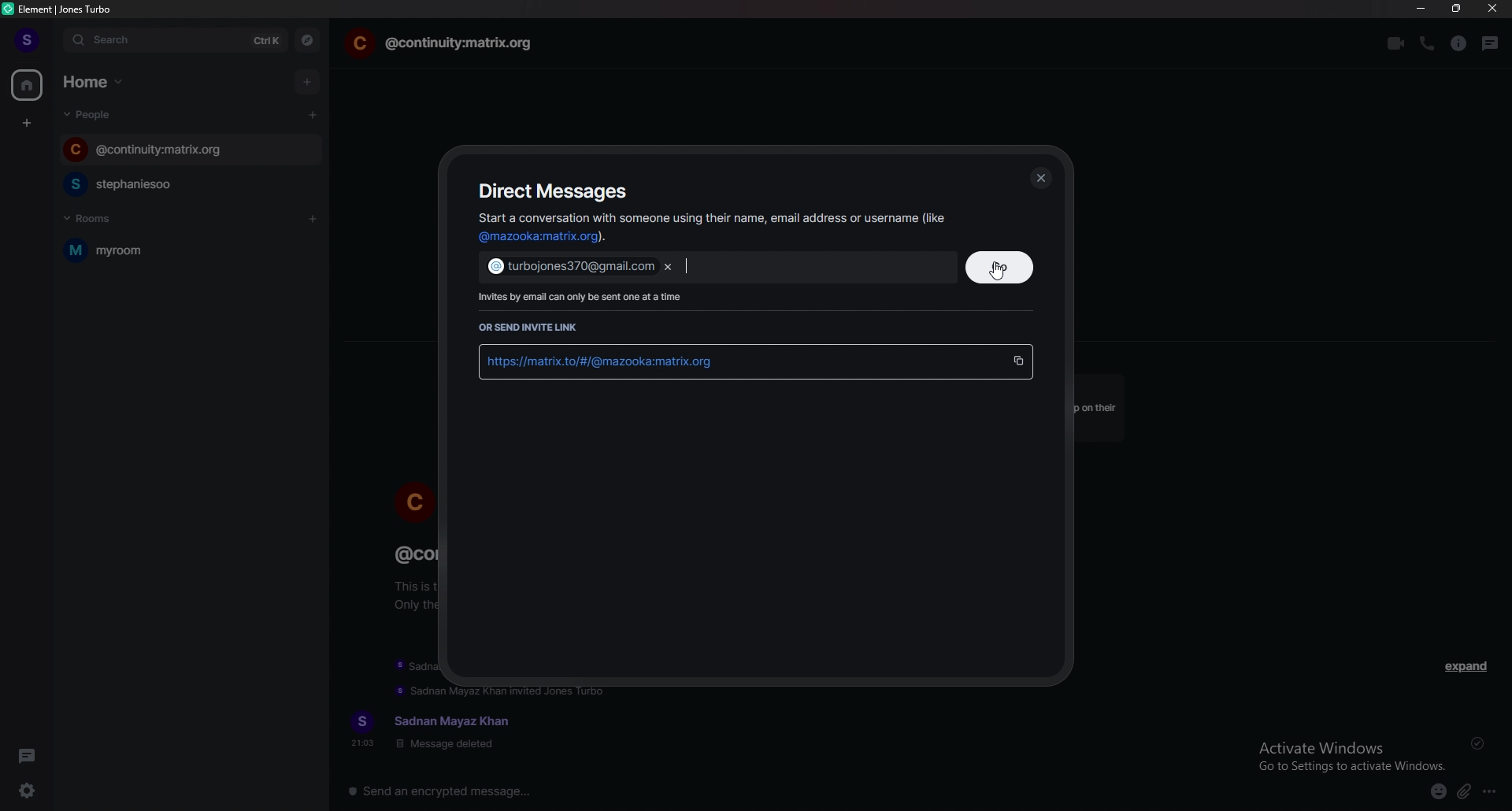 This screenshot has height=811, width=1512. Describe the element at coordinates (553, 190) in the screenshot. I see `direct messages` at that location.